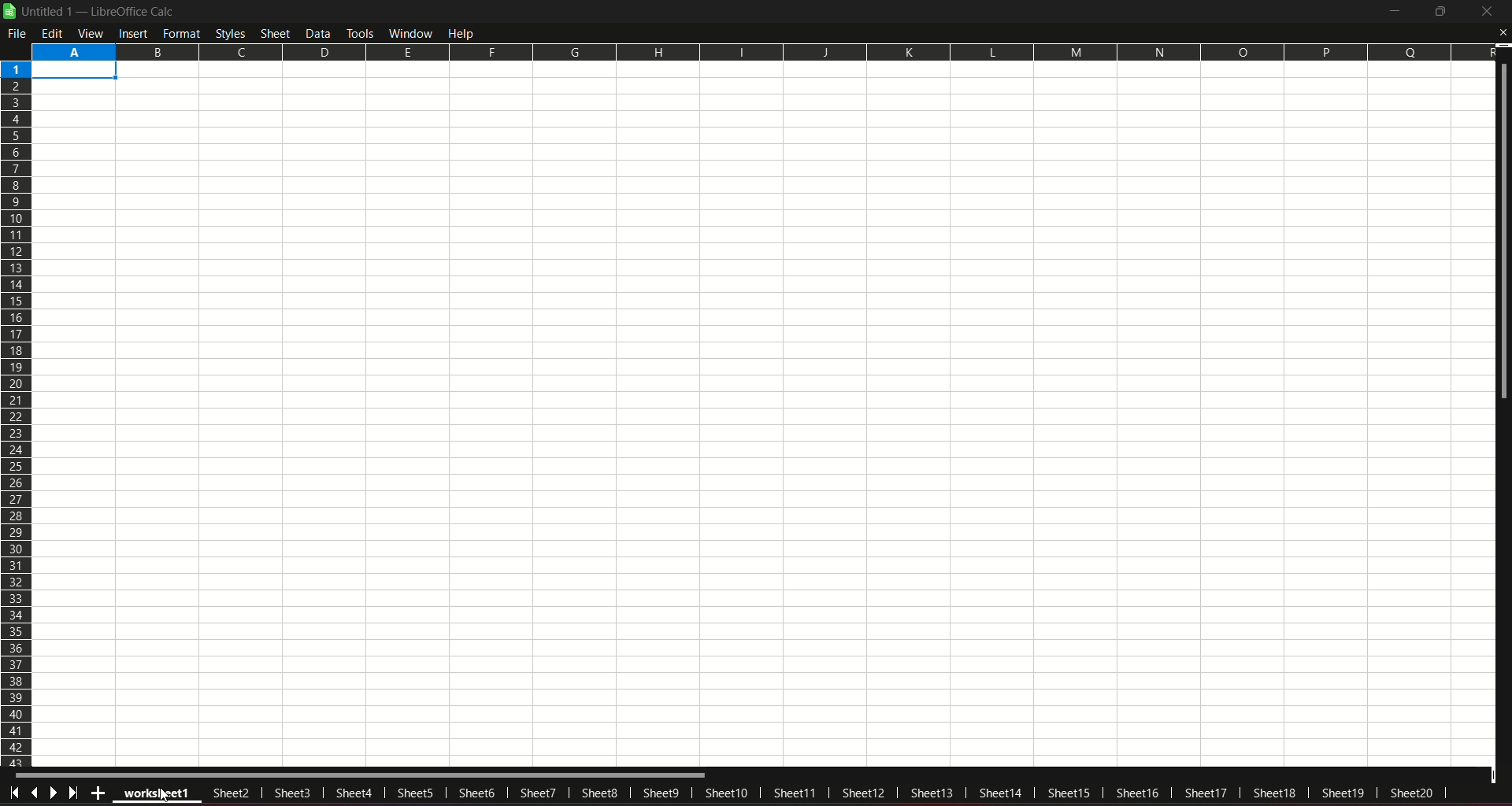 The image size is (1512, 806). I want to click on sheet4, so click(354, 791).